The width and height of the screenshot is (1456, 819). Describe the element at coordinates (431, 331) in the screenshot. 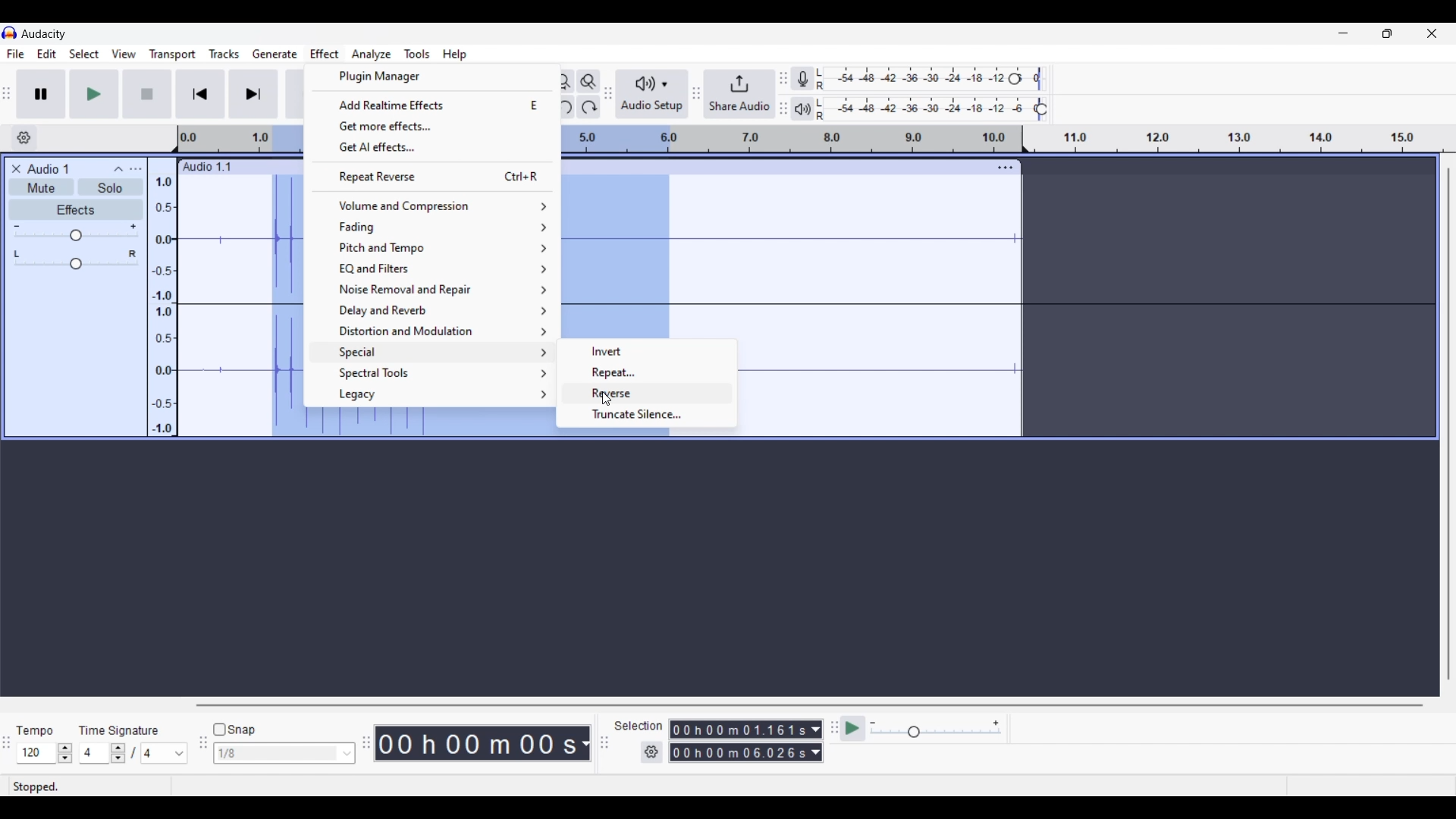

I see `Distortion and modulation options` at that location.